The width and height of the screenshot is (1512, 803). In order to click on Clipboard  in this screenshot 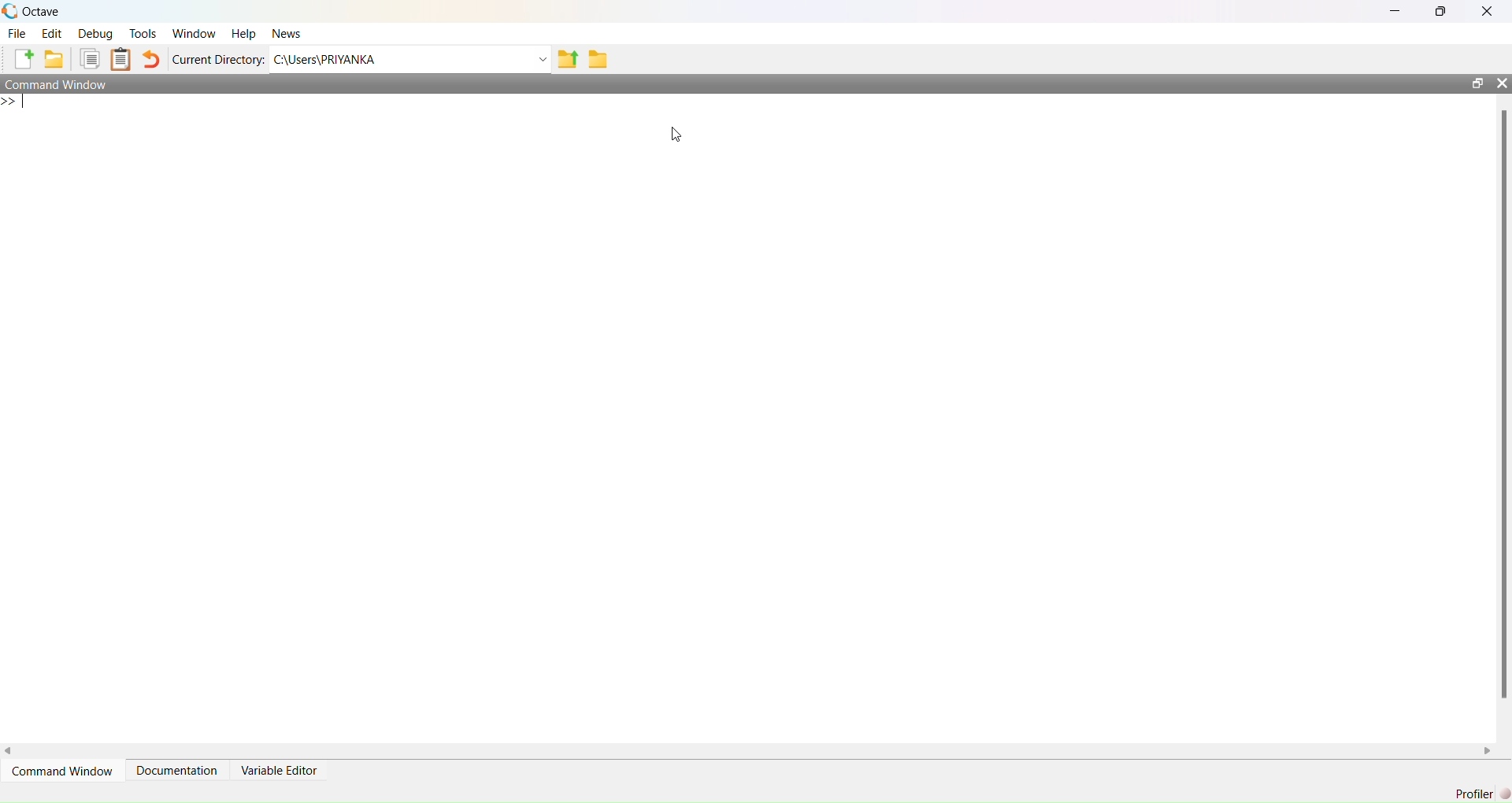, I will do `click(122, 58)`.